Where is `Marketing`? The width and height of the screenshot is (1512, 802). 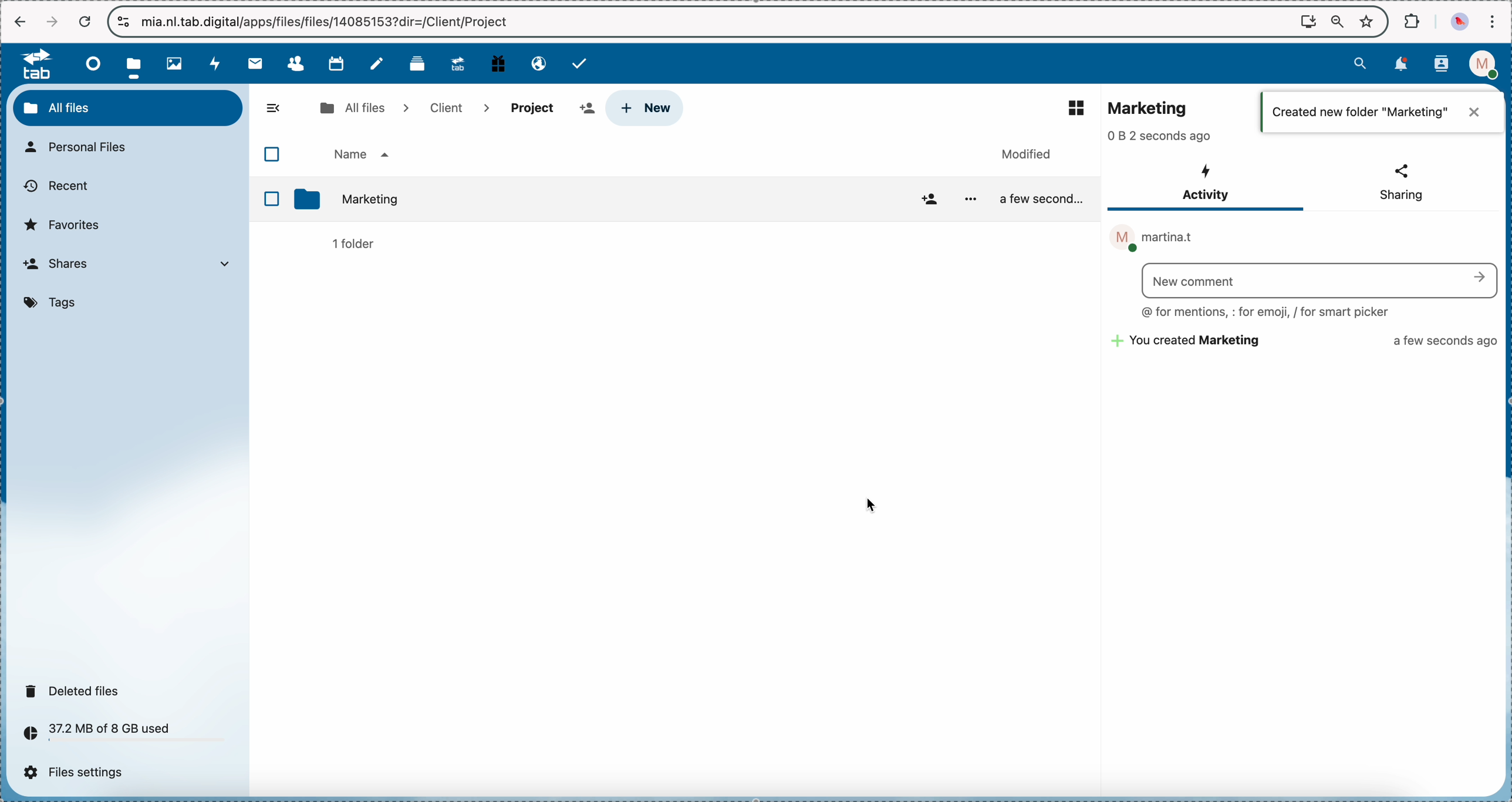 Marketing is located at coordinates (1148, 106).